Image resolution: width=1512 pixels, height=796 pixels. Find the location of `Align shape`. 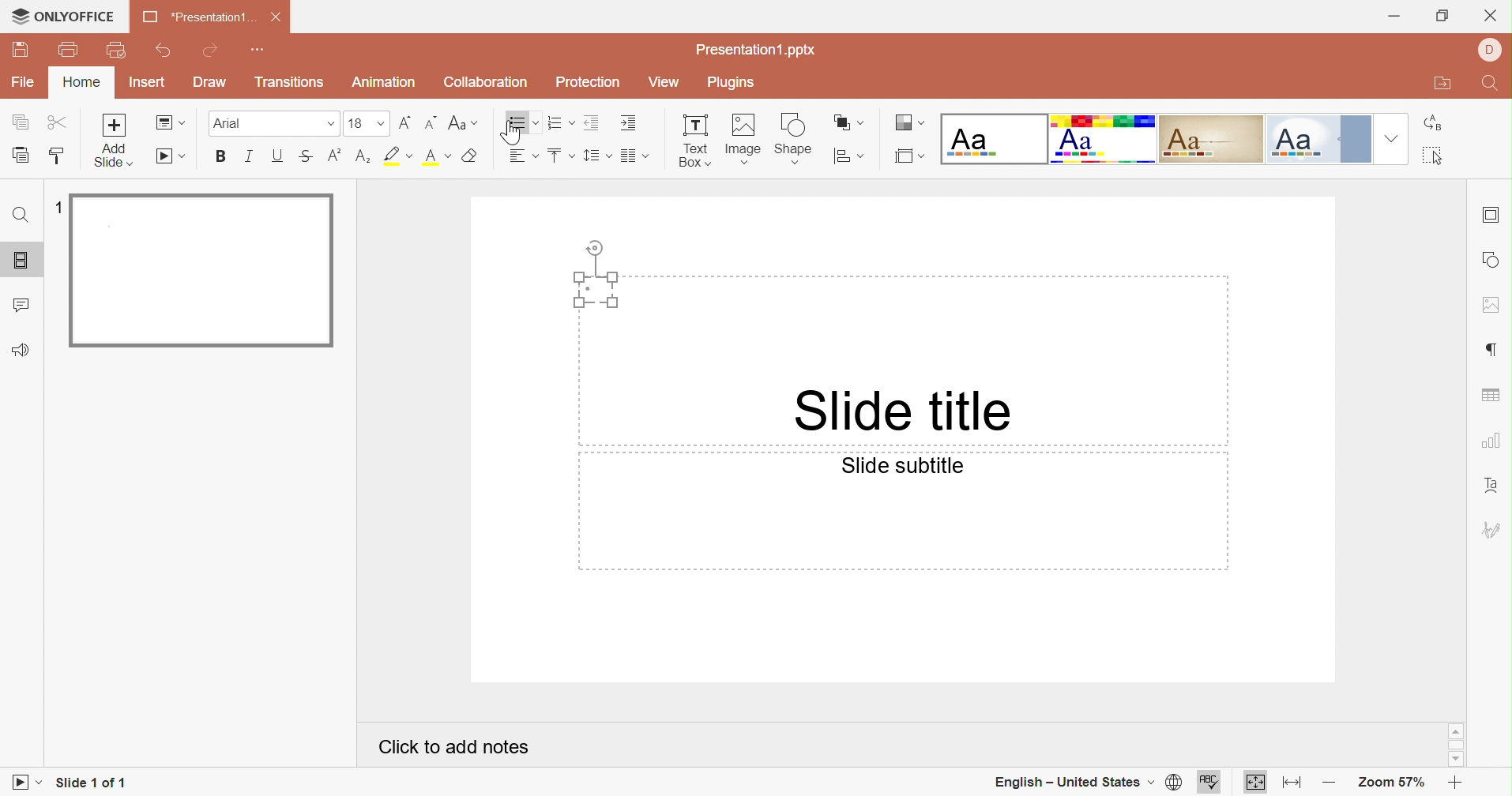

Align shape is located at coordinates (851, 157).